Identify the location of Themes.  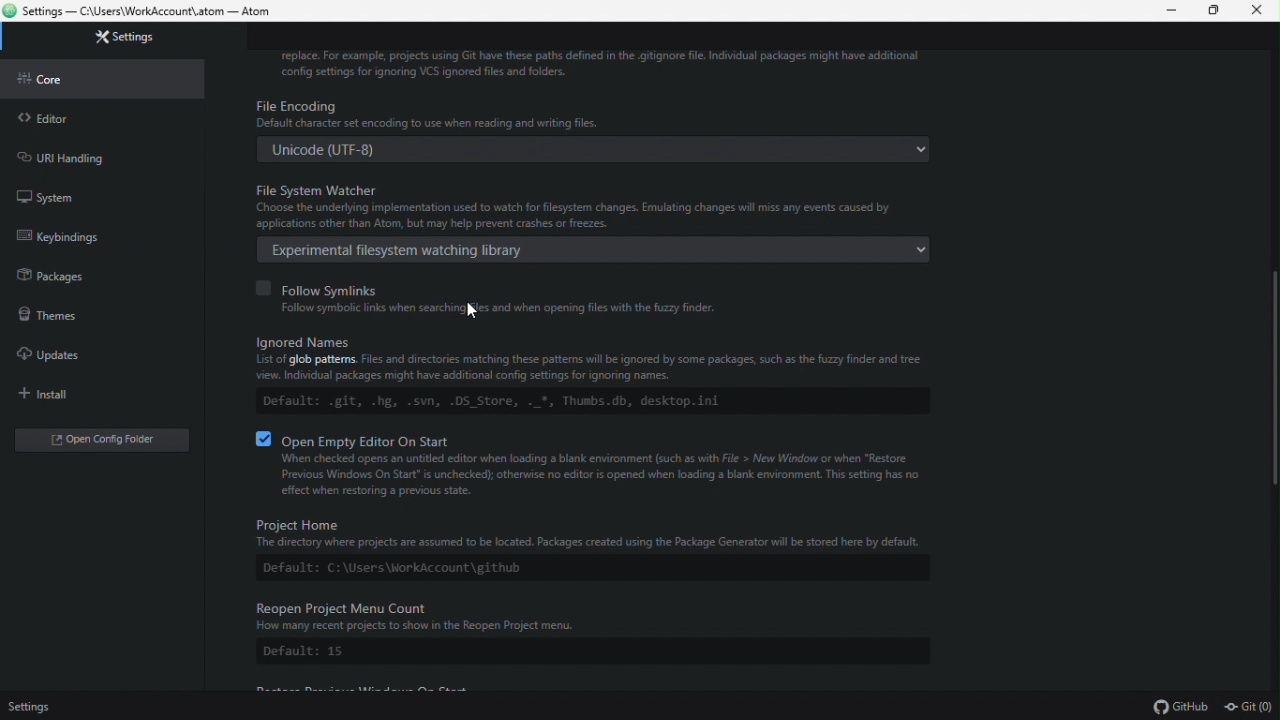
(51, 313).